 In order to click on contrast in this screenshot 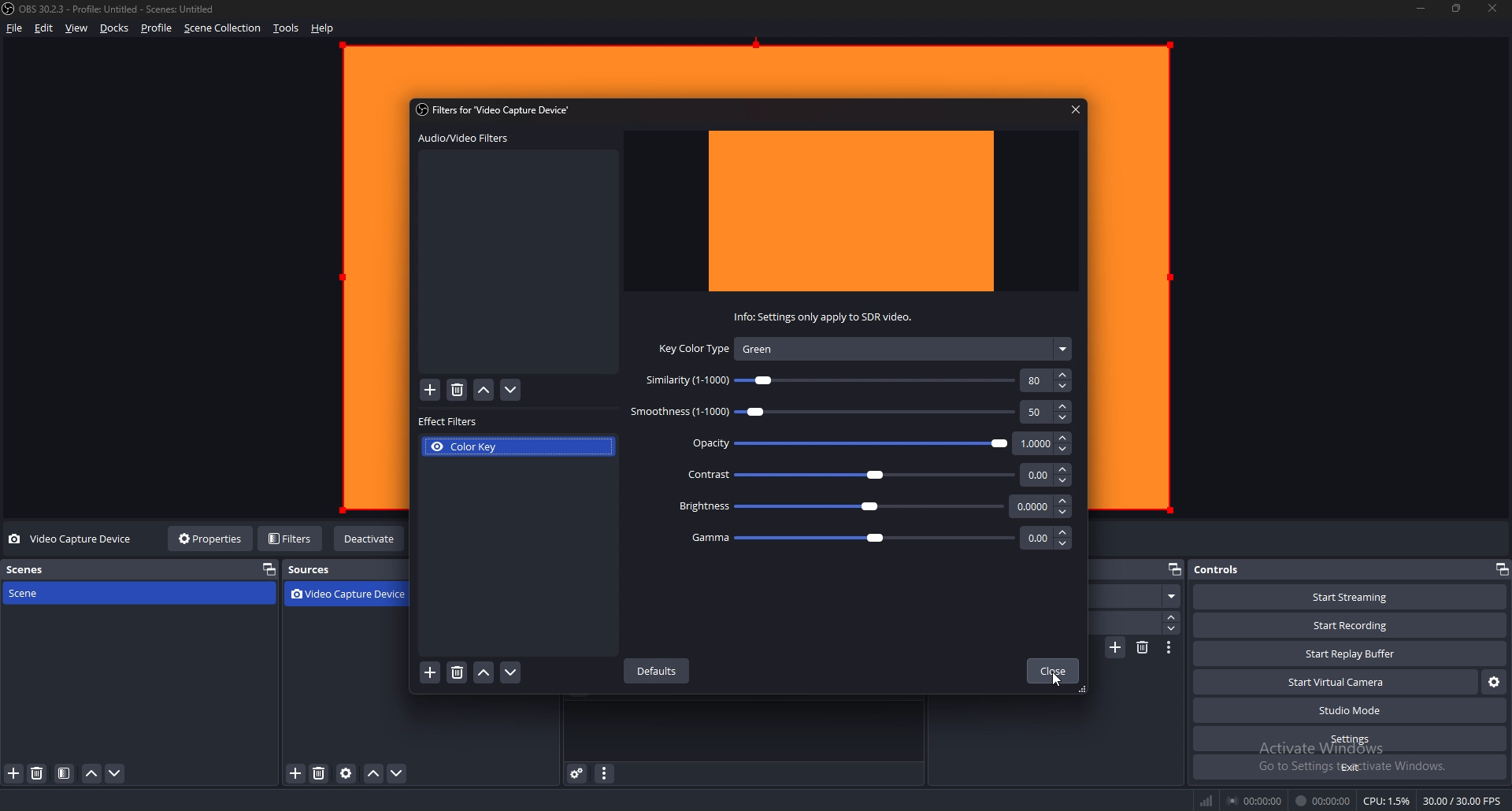, I will do `click(875, 473)`.